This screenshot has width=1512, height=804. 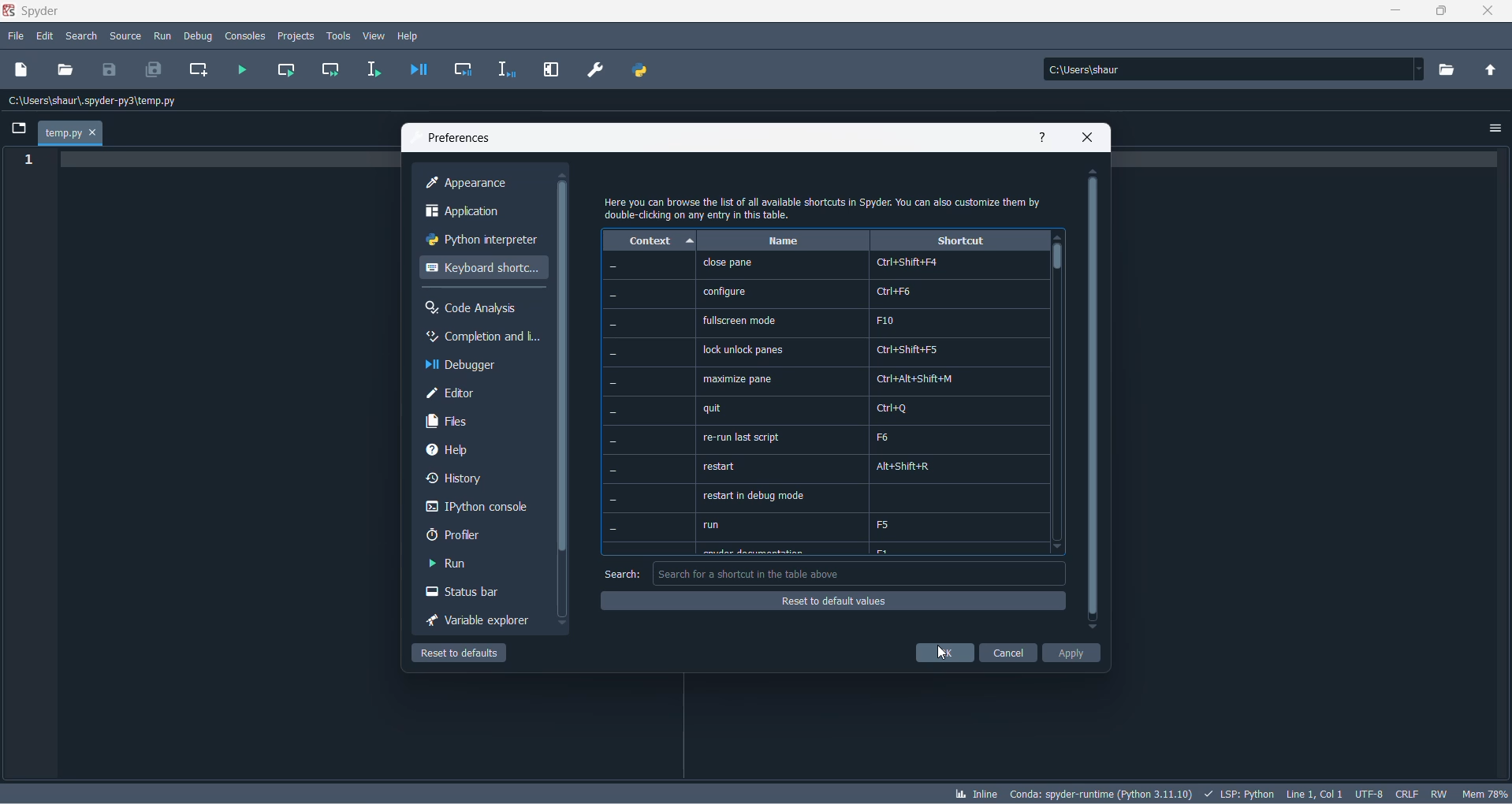 I want to click on options, so click(x=1496, y=125).